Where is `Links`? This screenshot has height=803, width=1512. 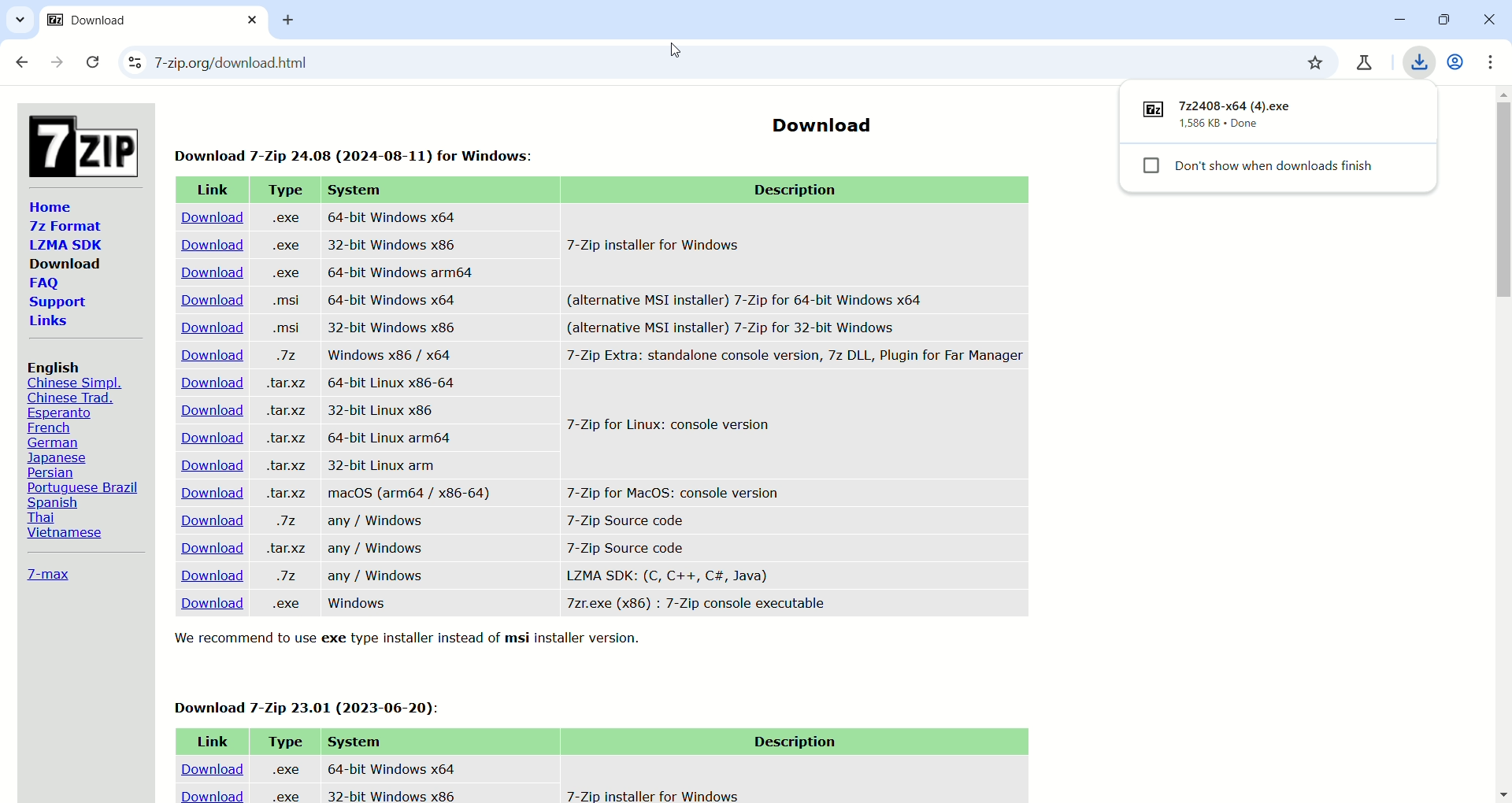 Links is located at coordinates (50, 322).